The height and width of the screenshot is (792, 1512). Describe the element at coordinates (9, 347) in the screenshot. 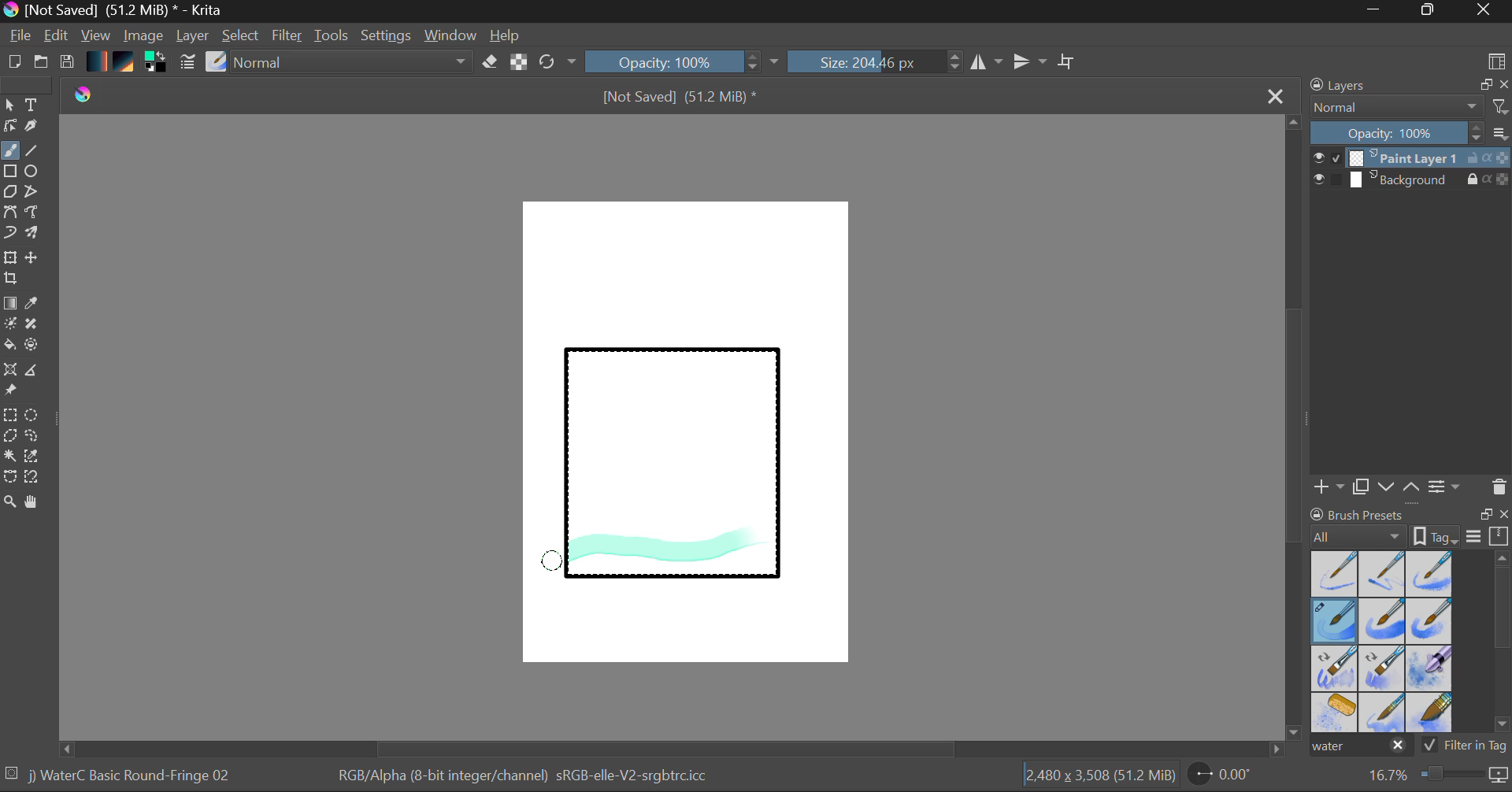

I see `Fill` at that location.